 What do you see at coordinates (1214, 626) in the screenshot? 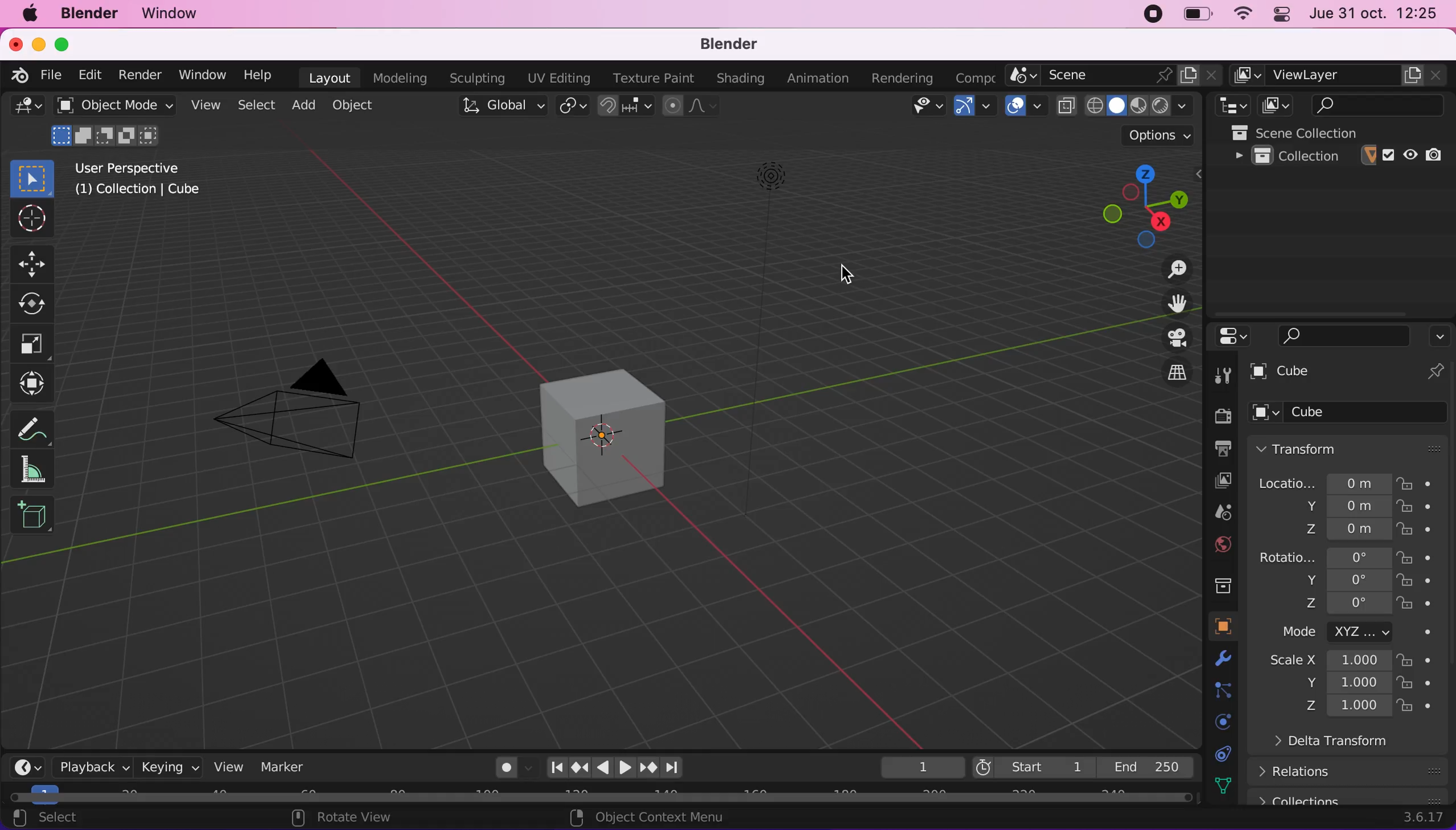
I see `object` at bounding box center [1214, 626].